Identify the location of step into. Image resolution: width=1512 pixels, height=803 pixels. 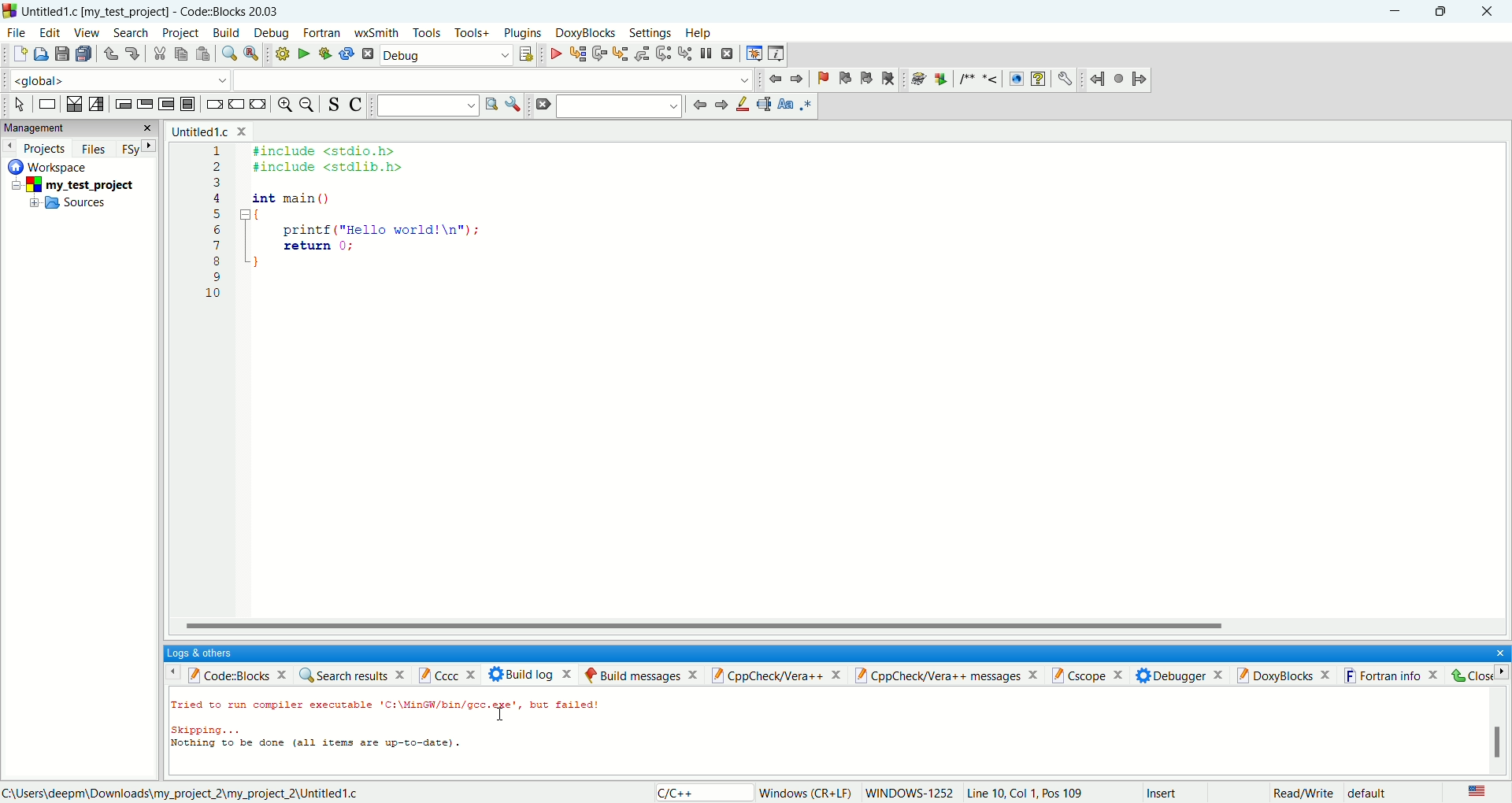
(621, 53).